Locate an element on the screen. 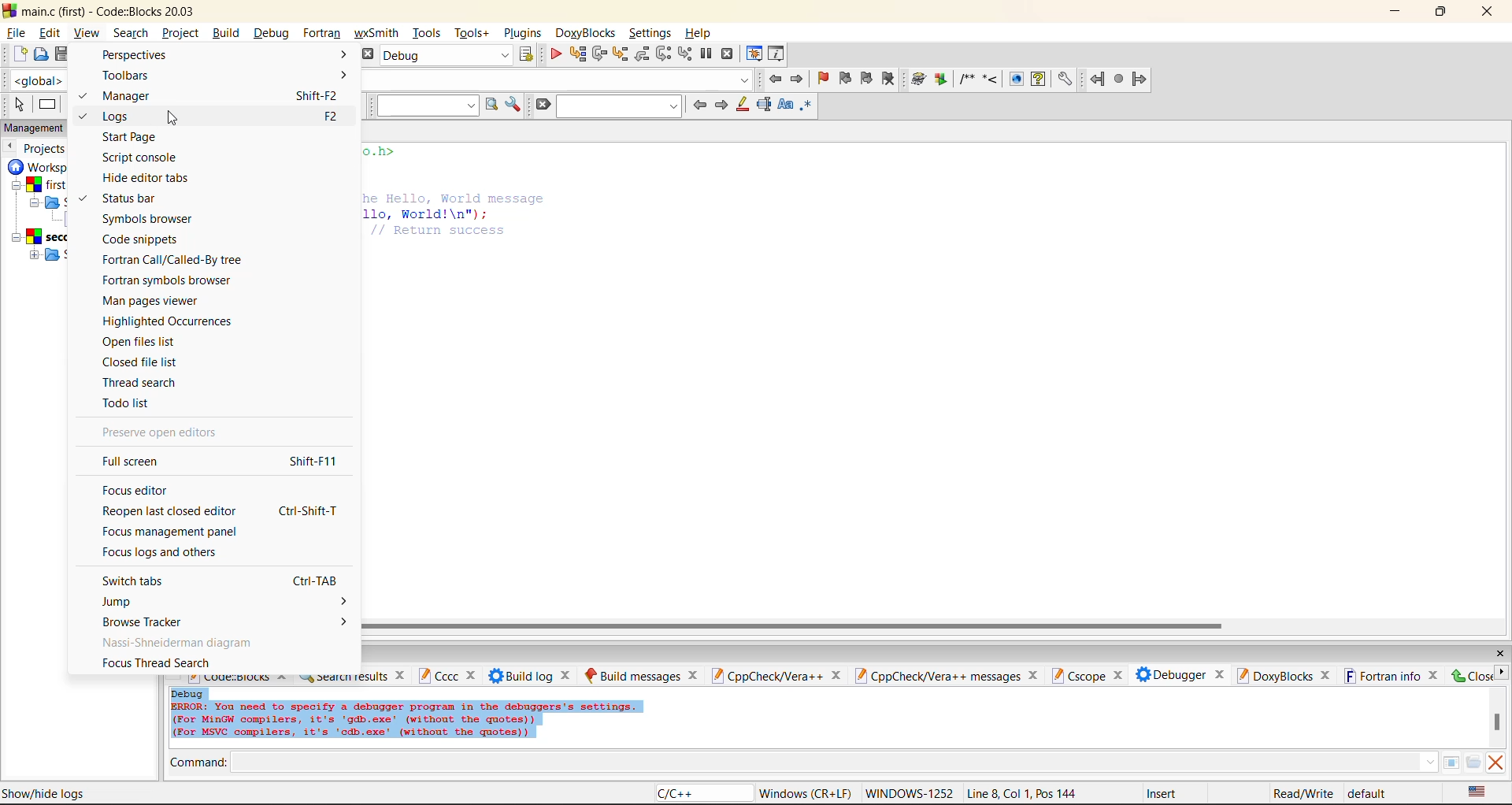 The height and width of the screenshot is (805, 1512). reopen last closed editor is located at coordinates (170, 512).